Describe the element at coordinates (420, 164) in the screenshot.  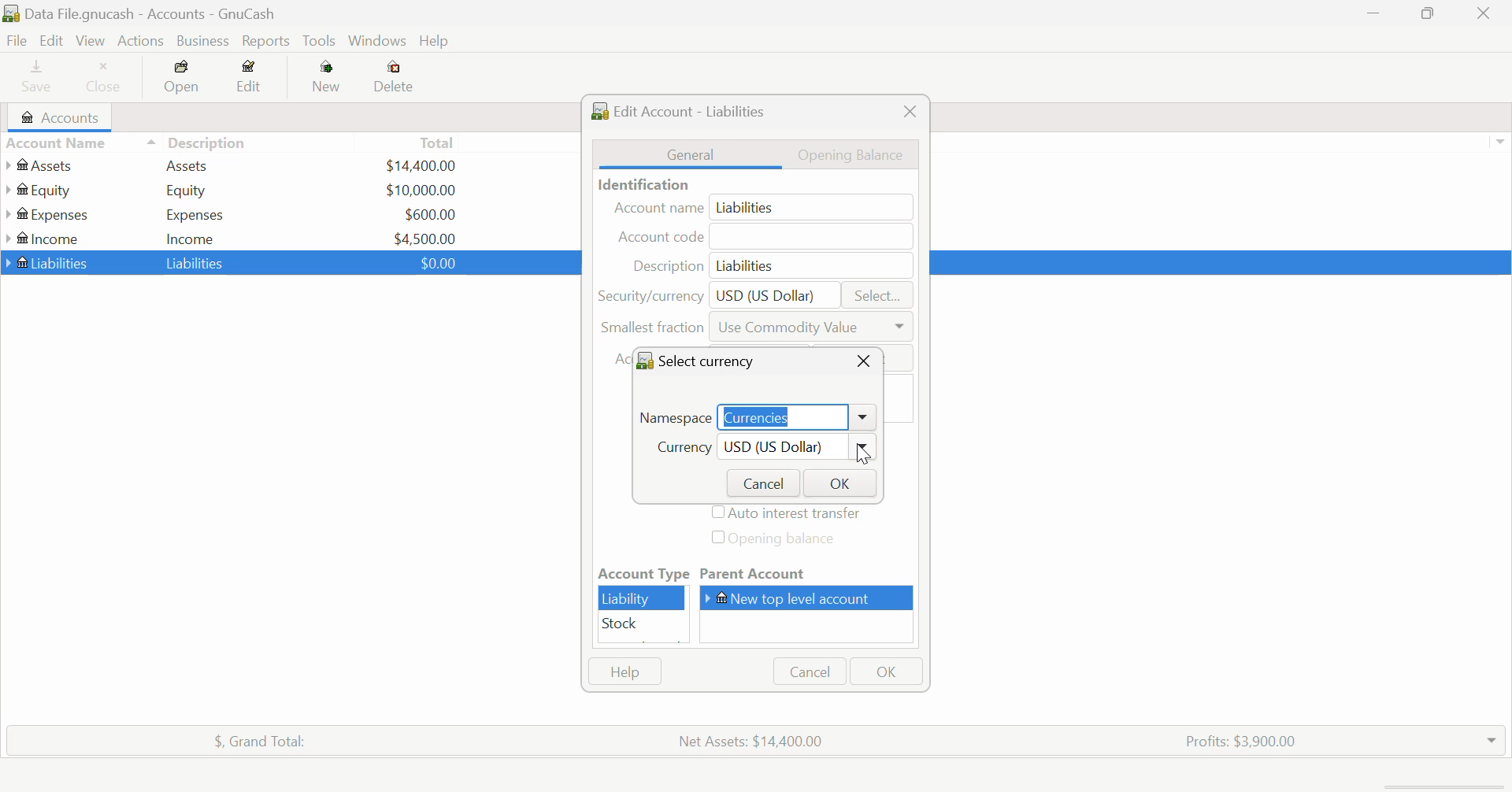
I see `USd` at that location.